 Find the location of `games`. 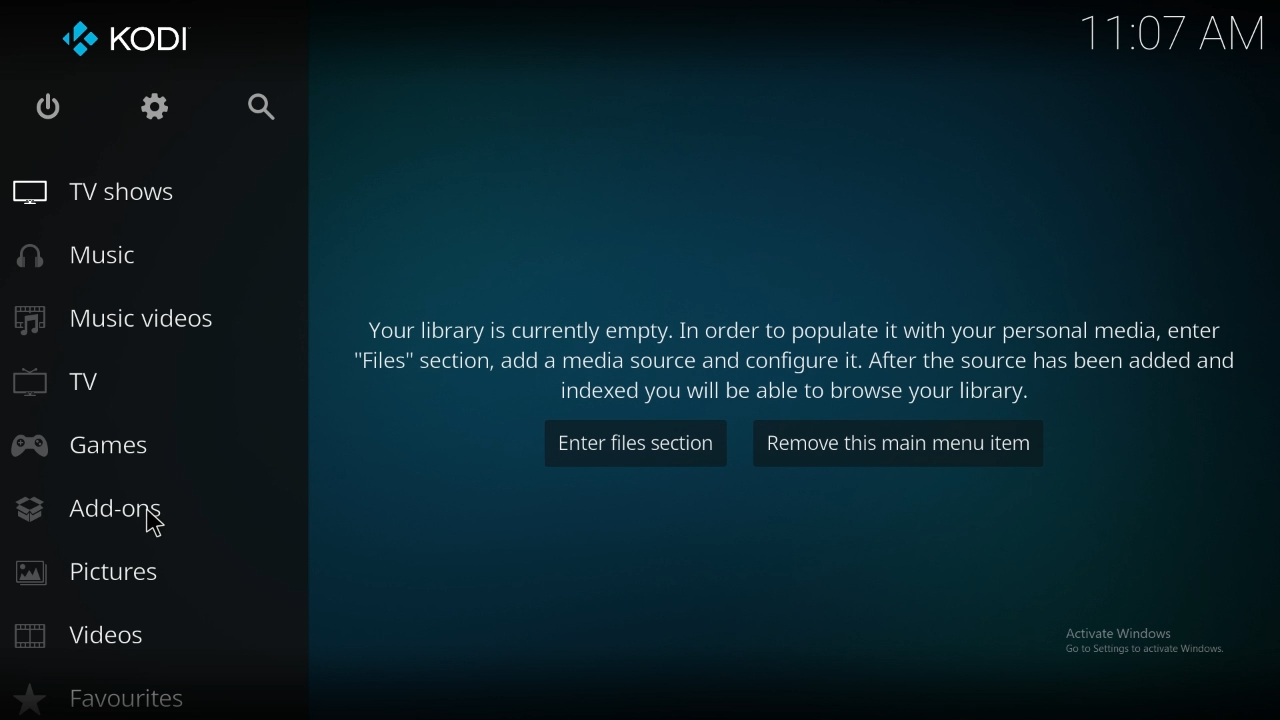

games is located at coordinates (94, 445).